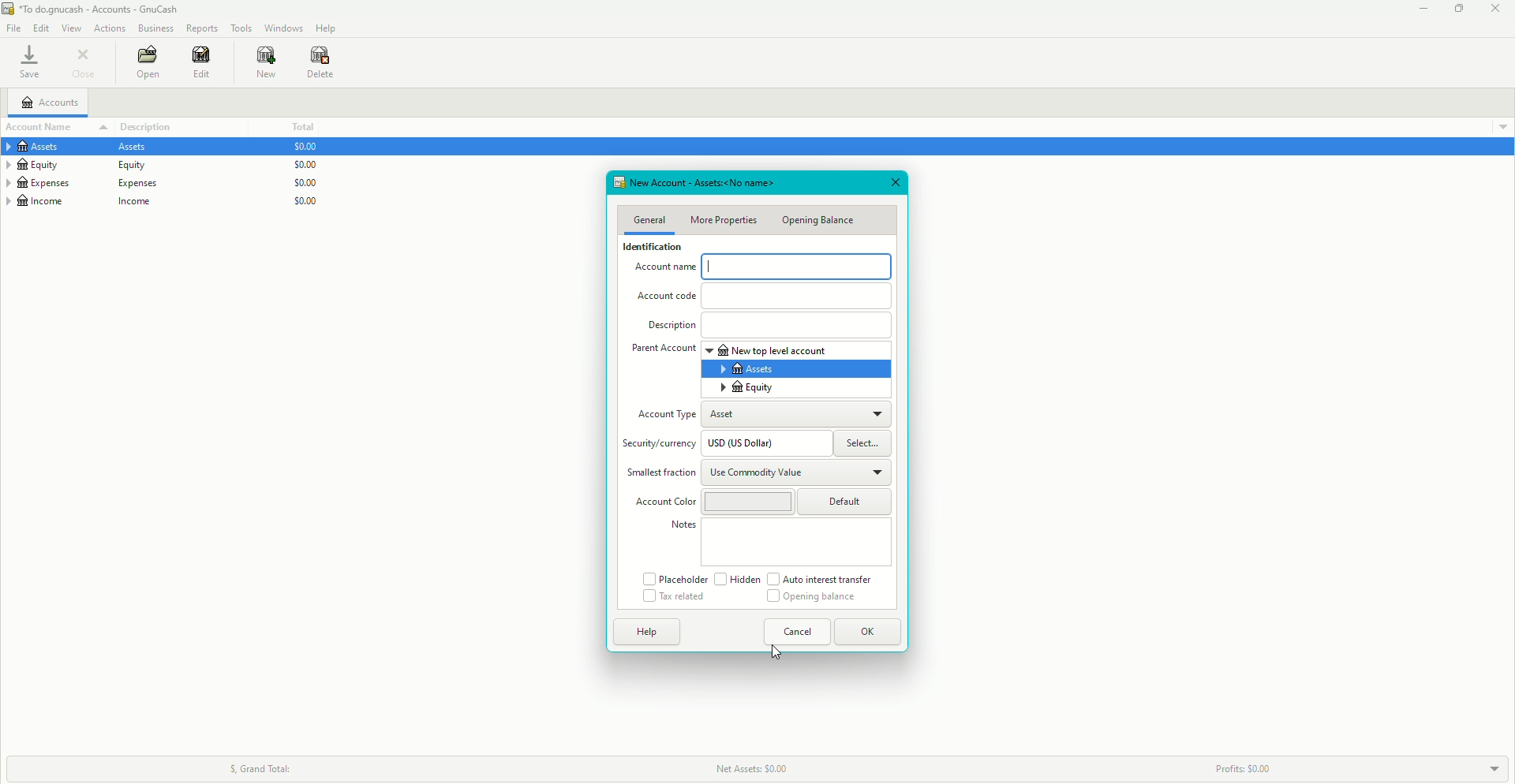 This screenshot has height=784, width=1515. Describe the element at coordinates (1457, 9) in the screenshot. I see `Restore` at that location.